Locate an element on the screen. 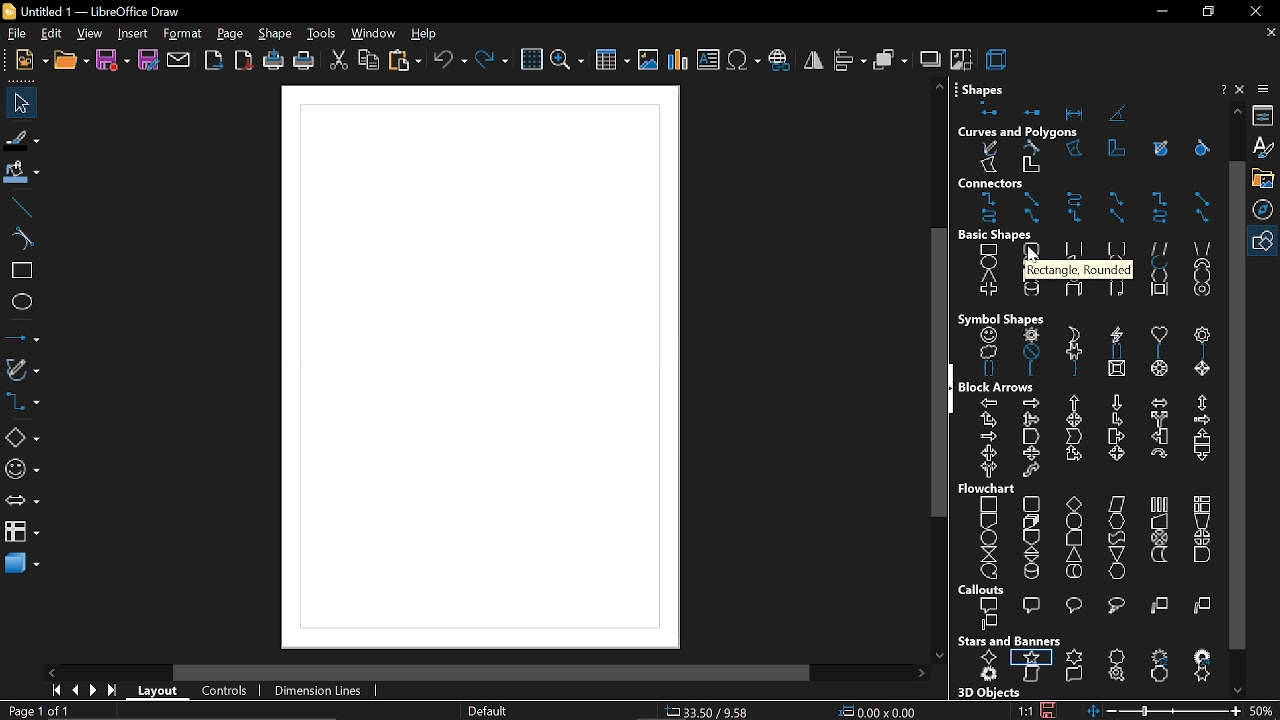 This screenshot has height=720, width=1280. zoom is located at coordinates (566, 62).